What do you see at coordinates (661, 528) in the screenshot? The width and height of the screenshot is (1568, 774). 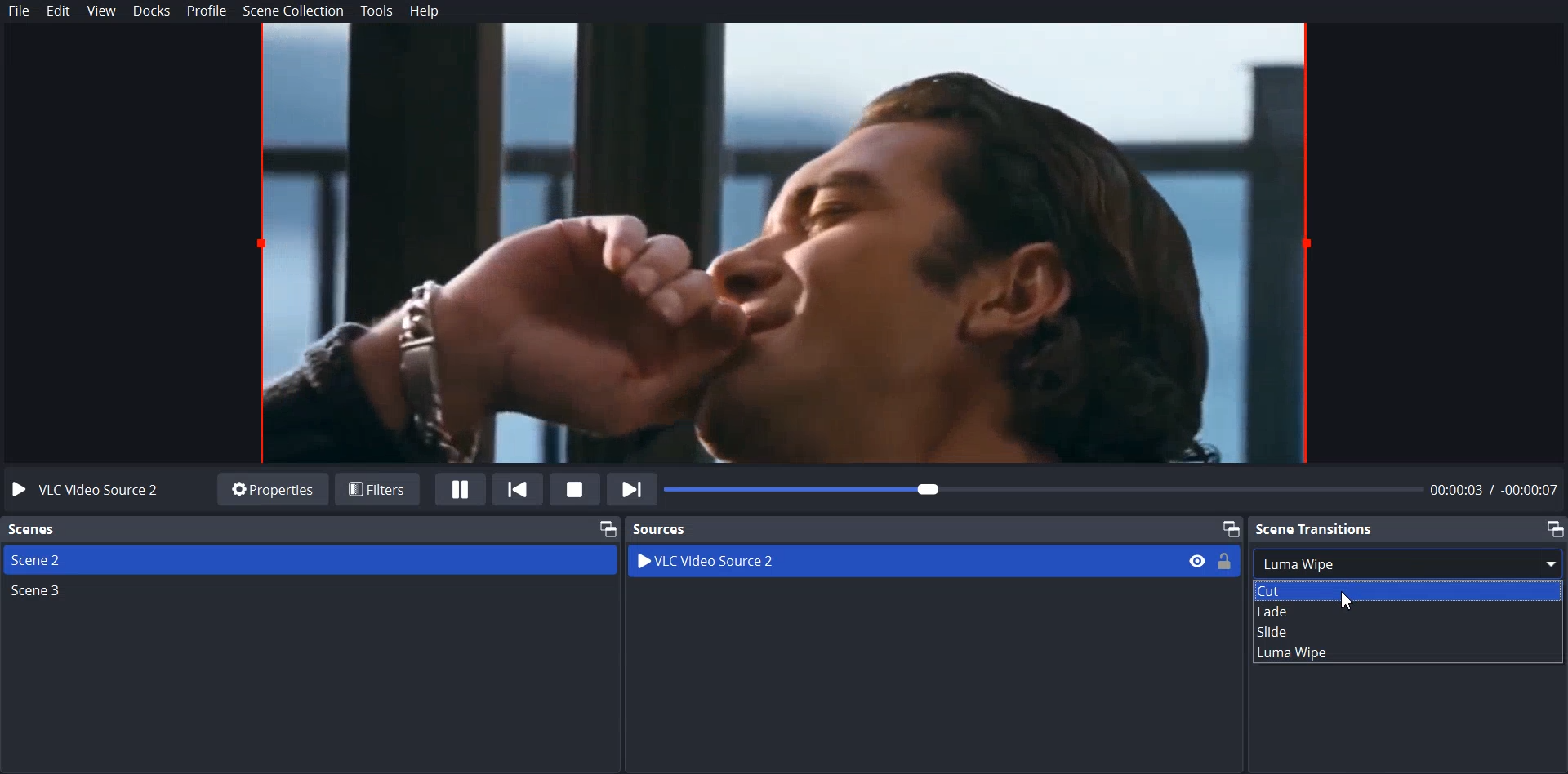 I see `Source` at bounding box center [661, 528].